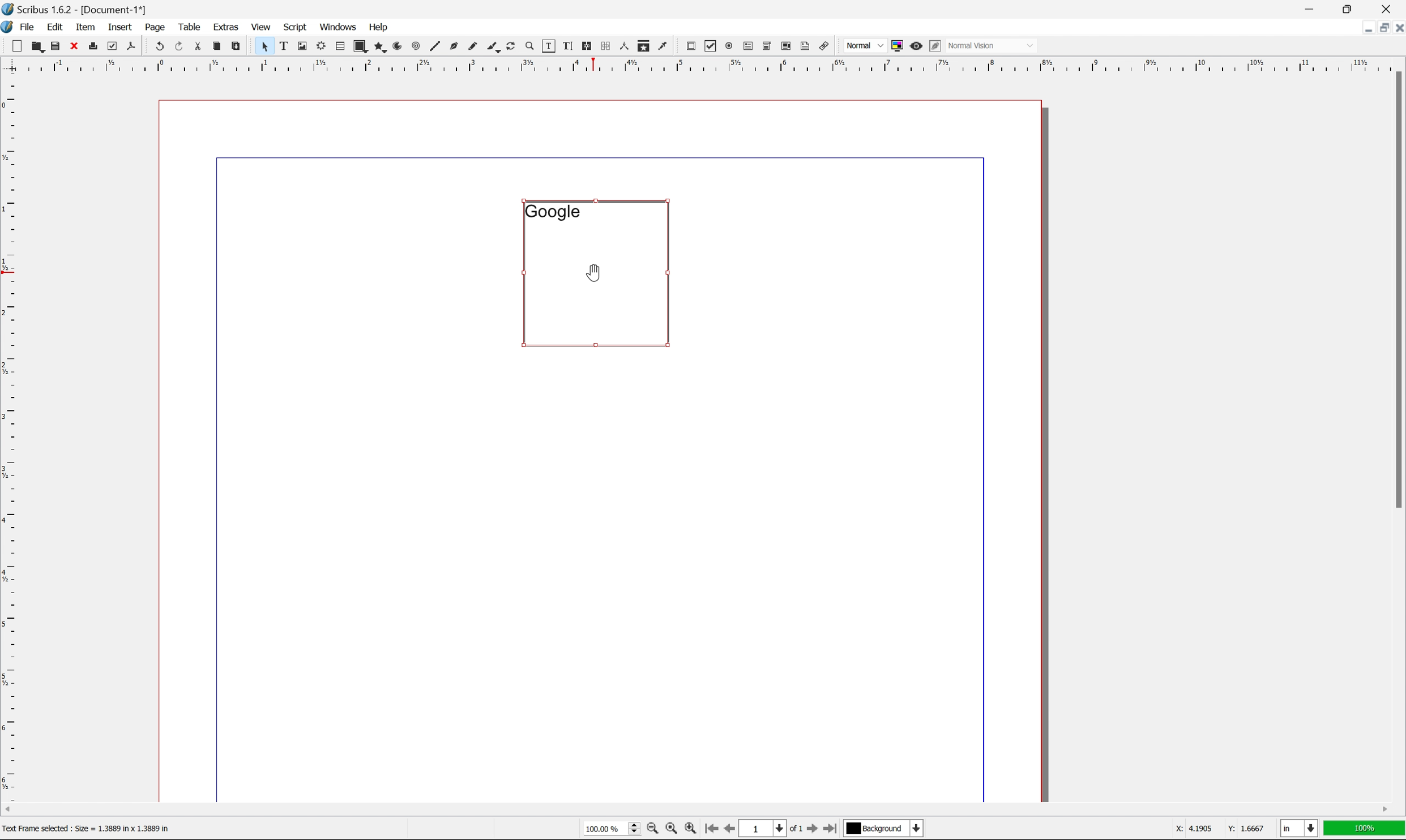  I want to click on normal, so click(864, 45).